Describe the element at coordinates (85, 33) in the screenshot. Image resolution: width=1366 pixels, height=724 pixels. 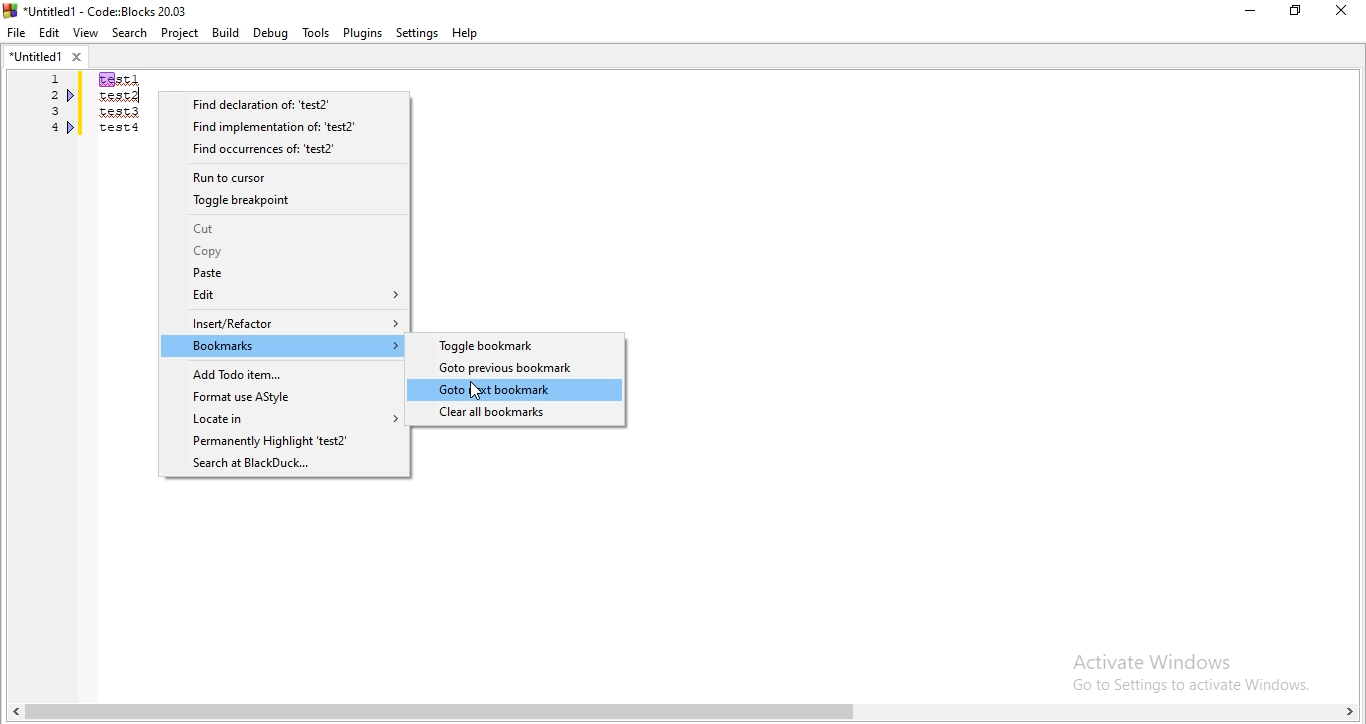
I see `View ` at that location.